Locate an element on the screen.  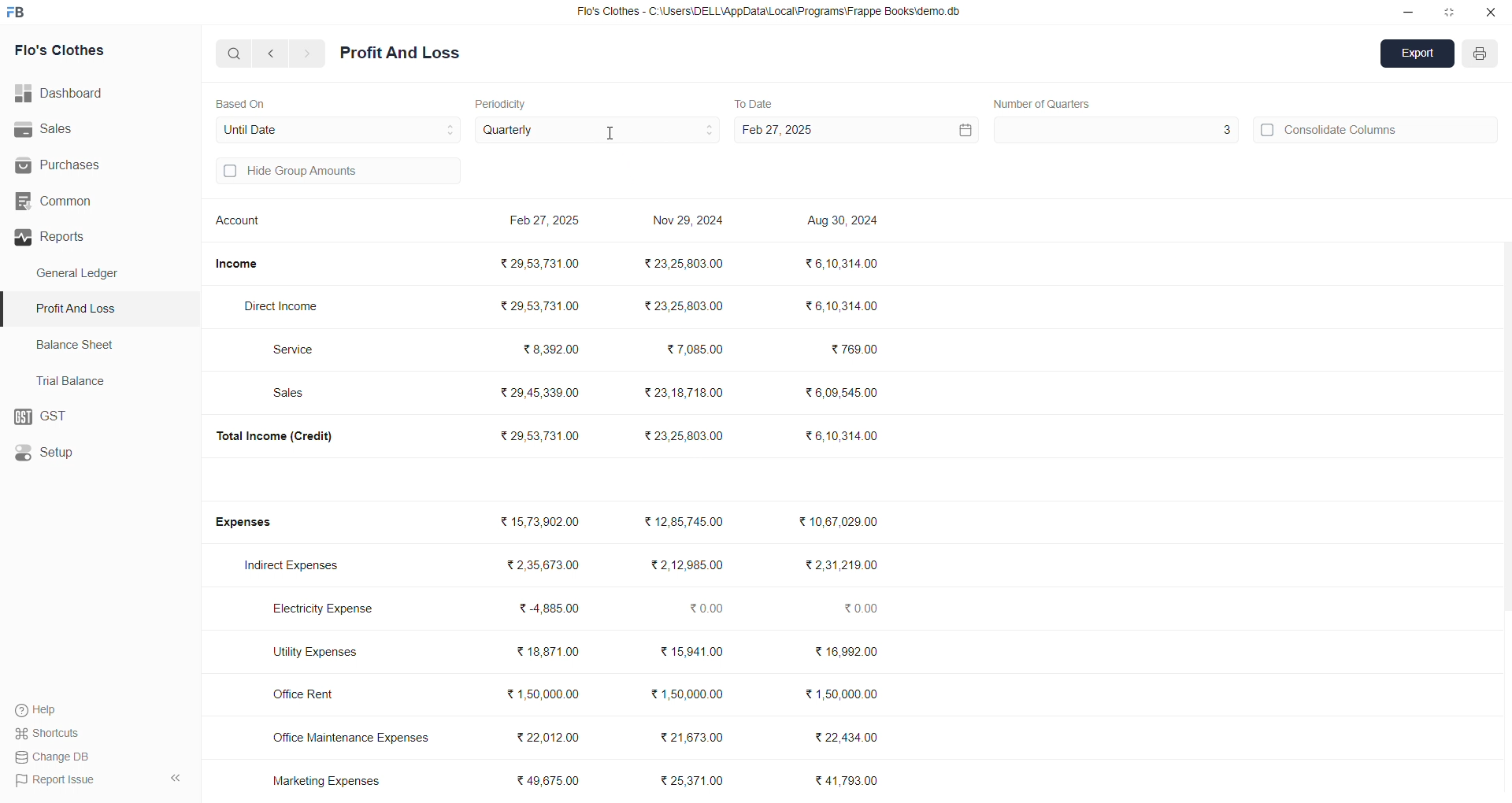
₹25,371.00 is located at coordinates (695, 781).